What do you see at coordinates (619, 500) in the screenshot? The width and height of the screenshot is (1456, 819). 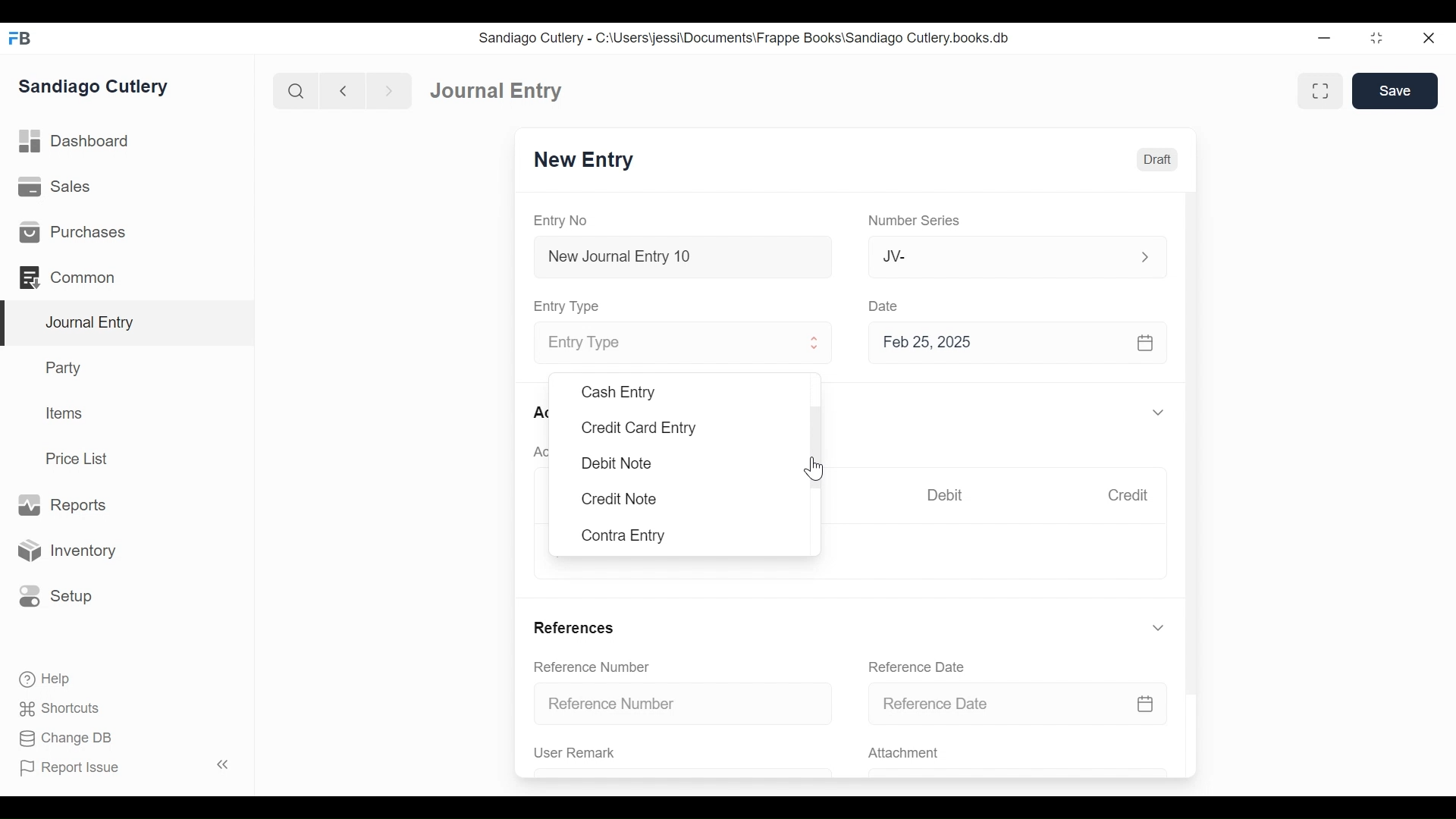 I see `Credit Note` at bounding box center [619, 500].